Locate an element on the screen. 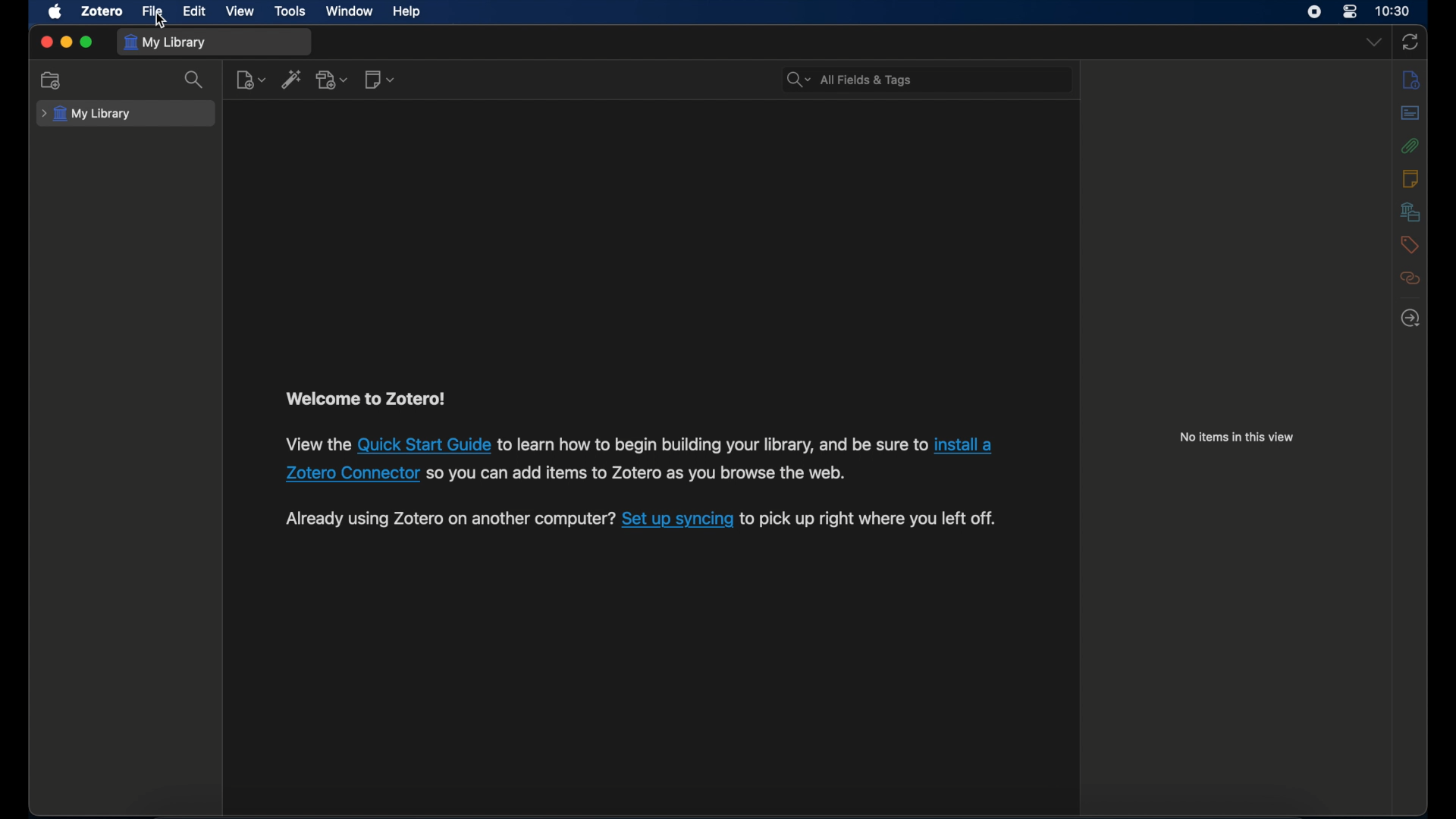  notes is located at coordinates (1411, 178).